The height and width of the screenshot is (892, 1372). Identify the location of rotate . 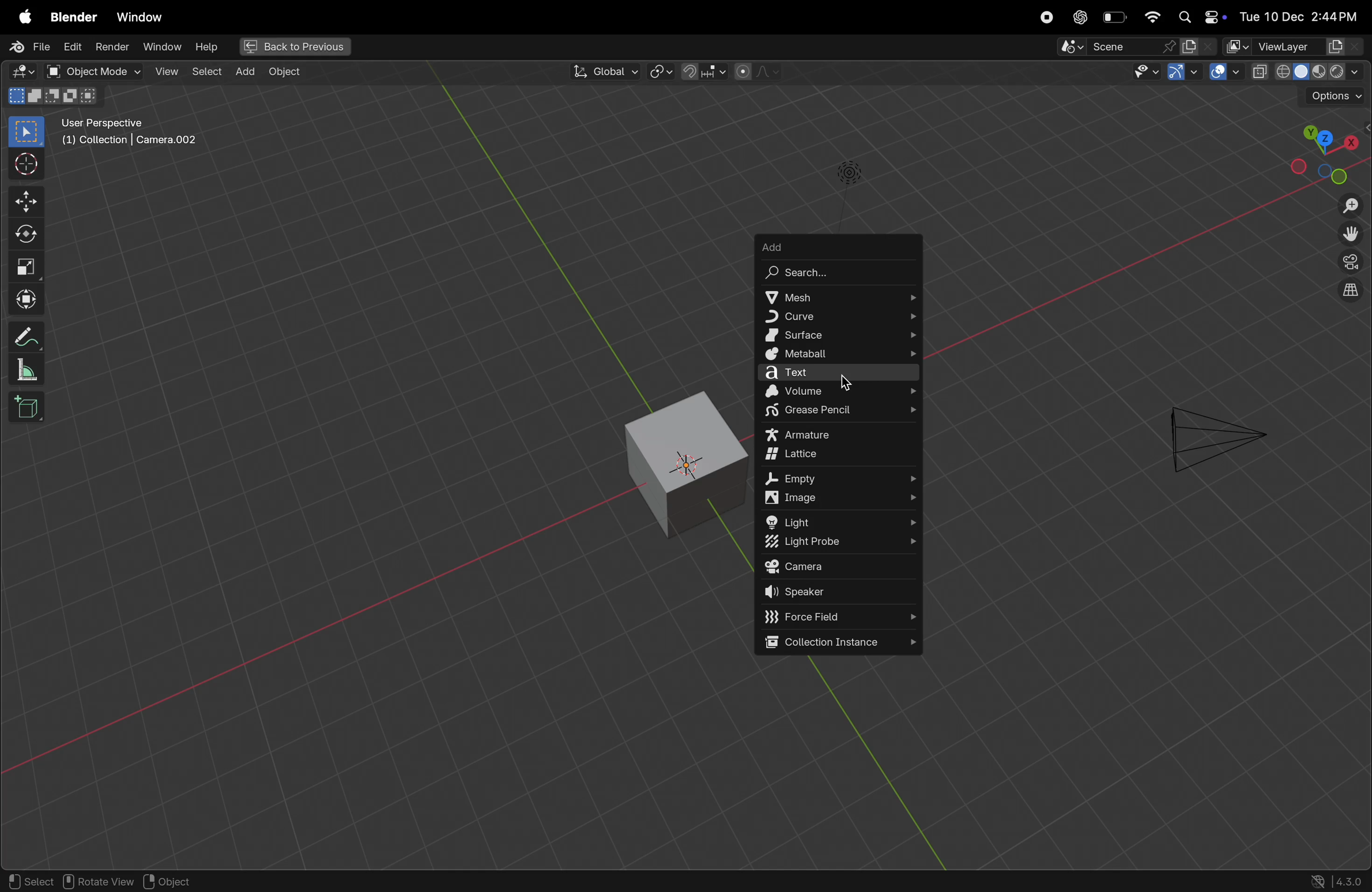
(24, 233).